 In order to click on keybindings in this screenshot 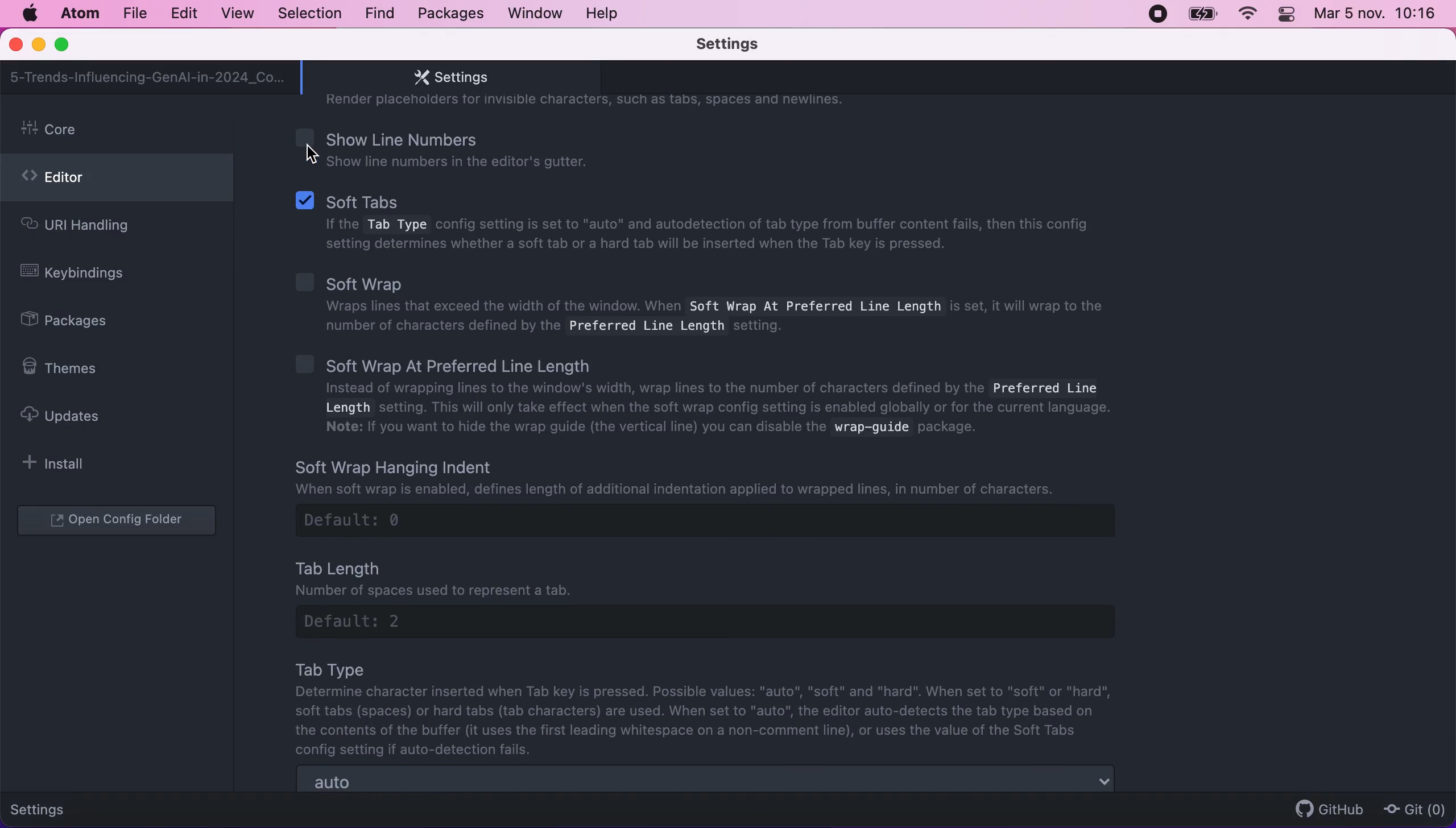, I will do `click(81, 275)`.